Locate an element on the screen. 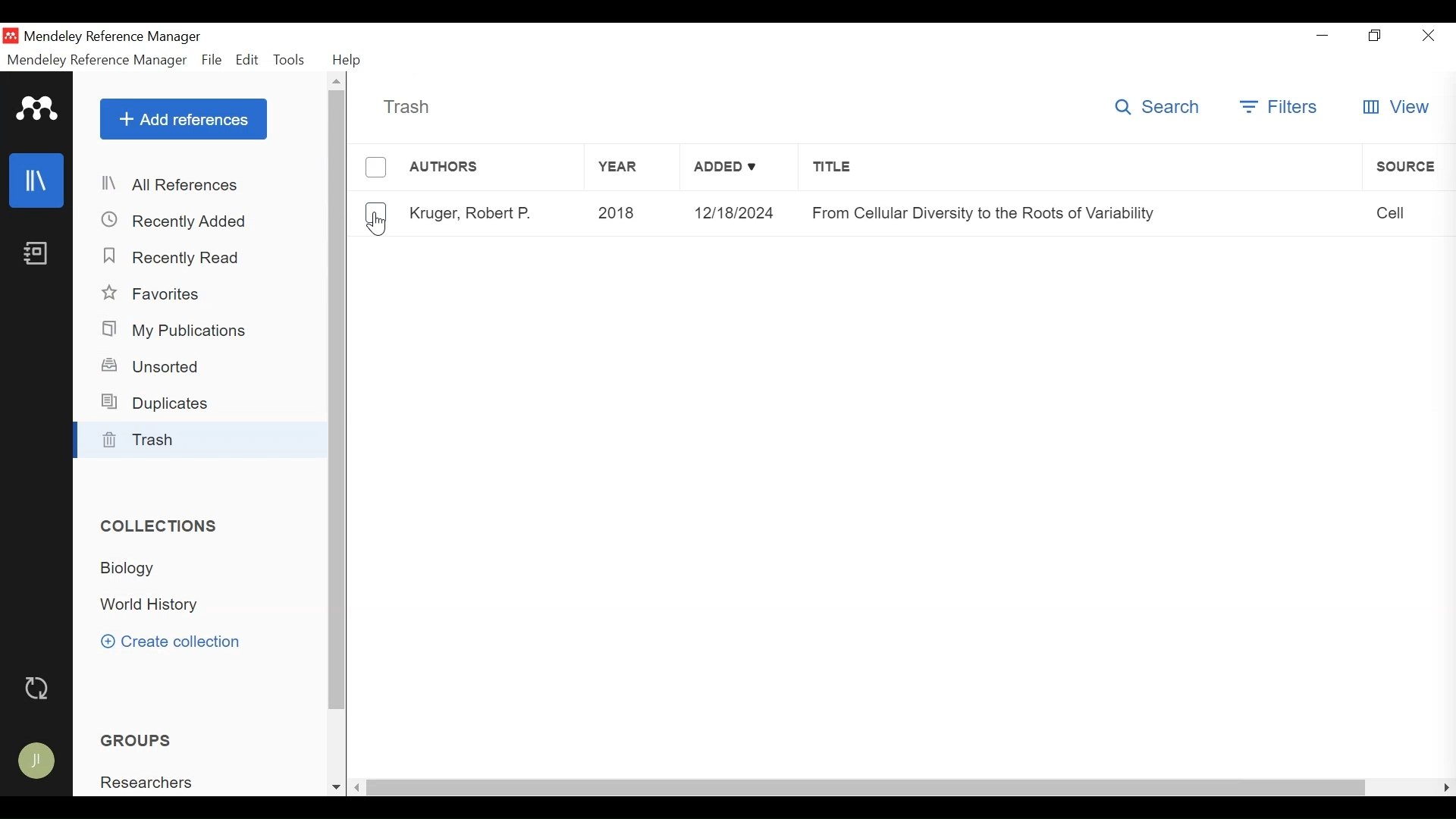 The image size is (1456, 819). Scroll Right is located at coordinates (1443, 787).